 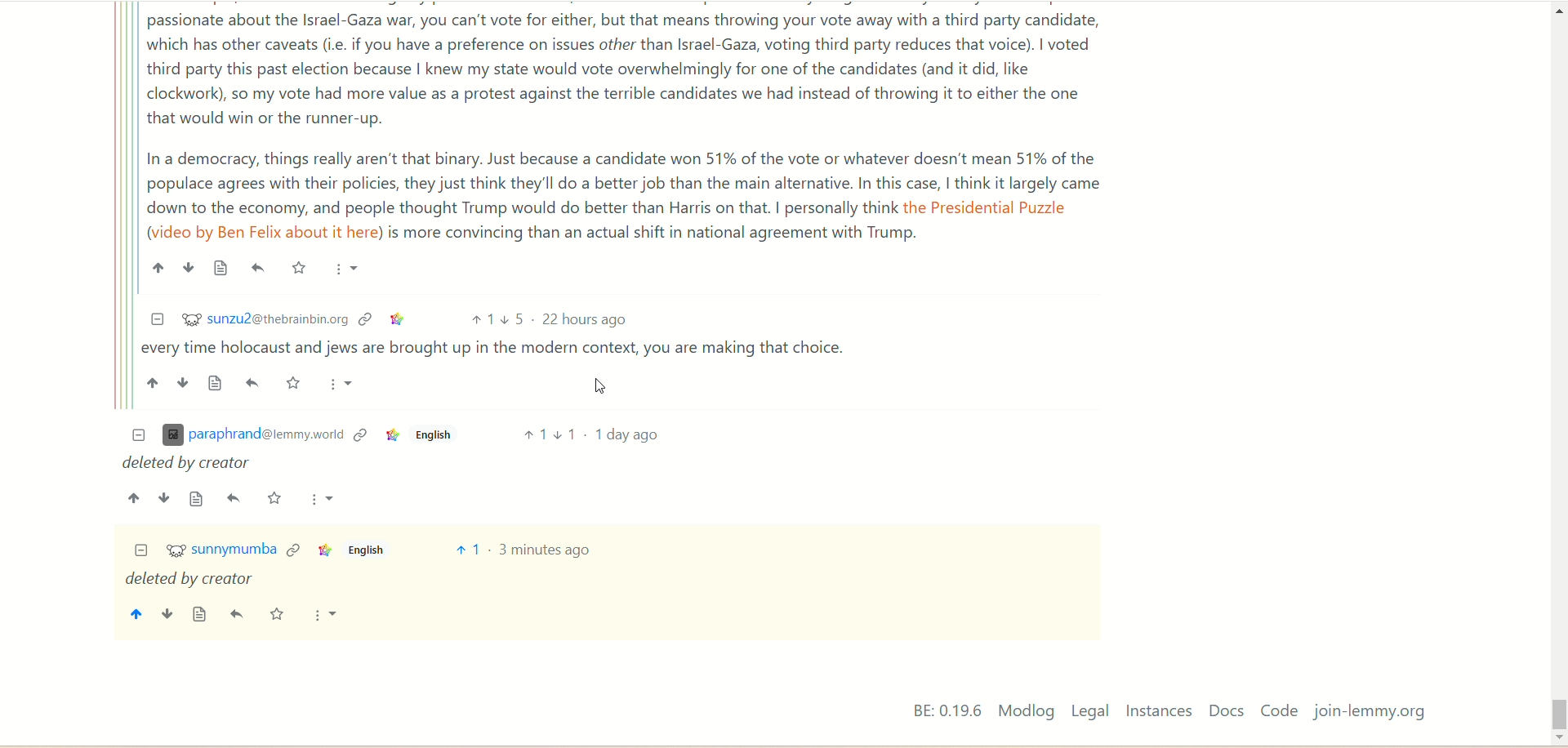 What do you see at coordinates (234, 498) in the screenshot?
I see `Reply` at bounding box center [234, 498].